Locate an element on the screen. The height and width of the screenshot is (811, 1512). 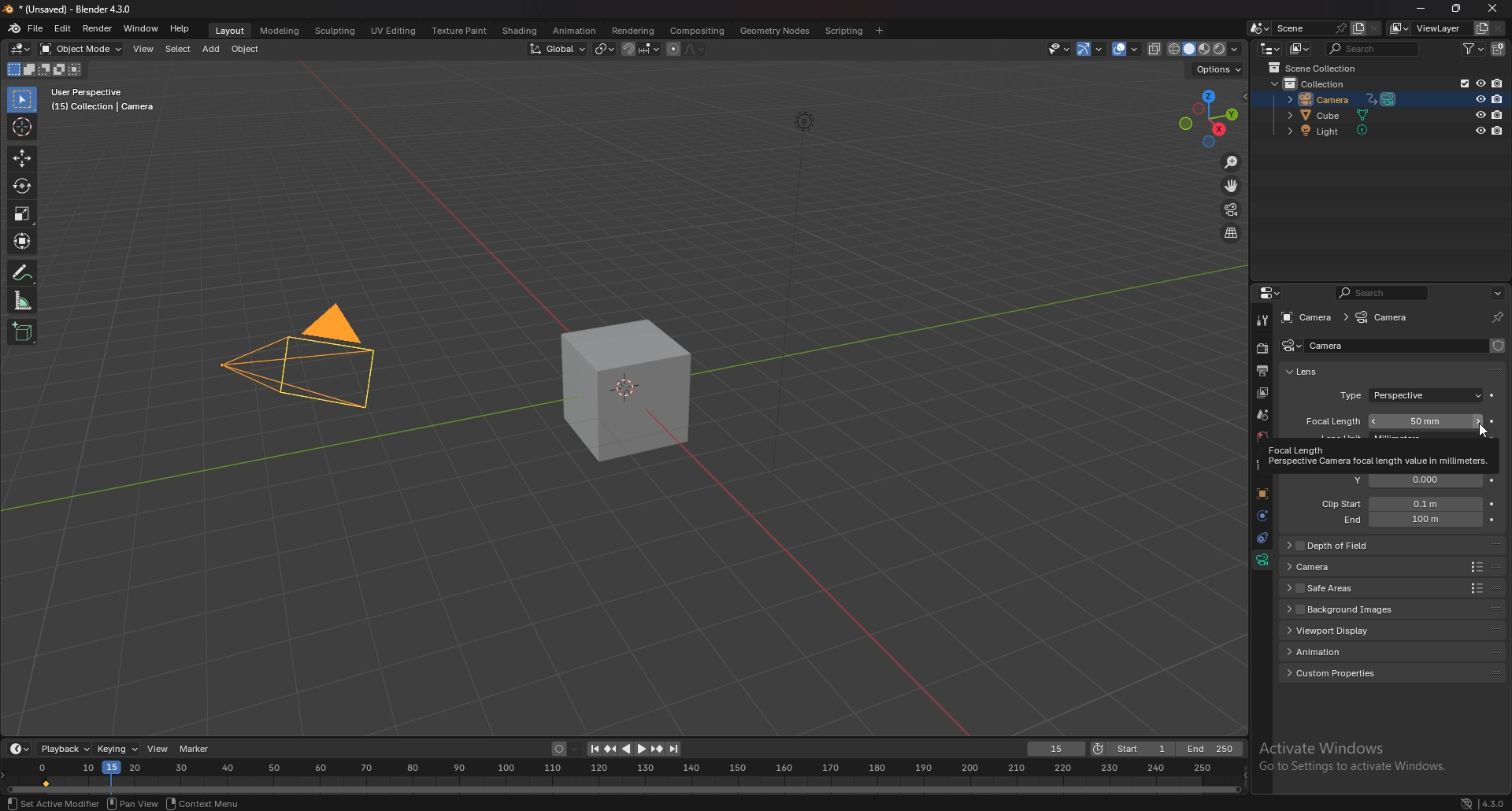
preset viewpoint is located at coordinates (1208, 118).